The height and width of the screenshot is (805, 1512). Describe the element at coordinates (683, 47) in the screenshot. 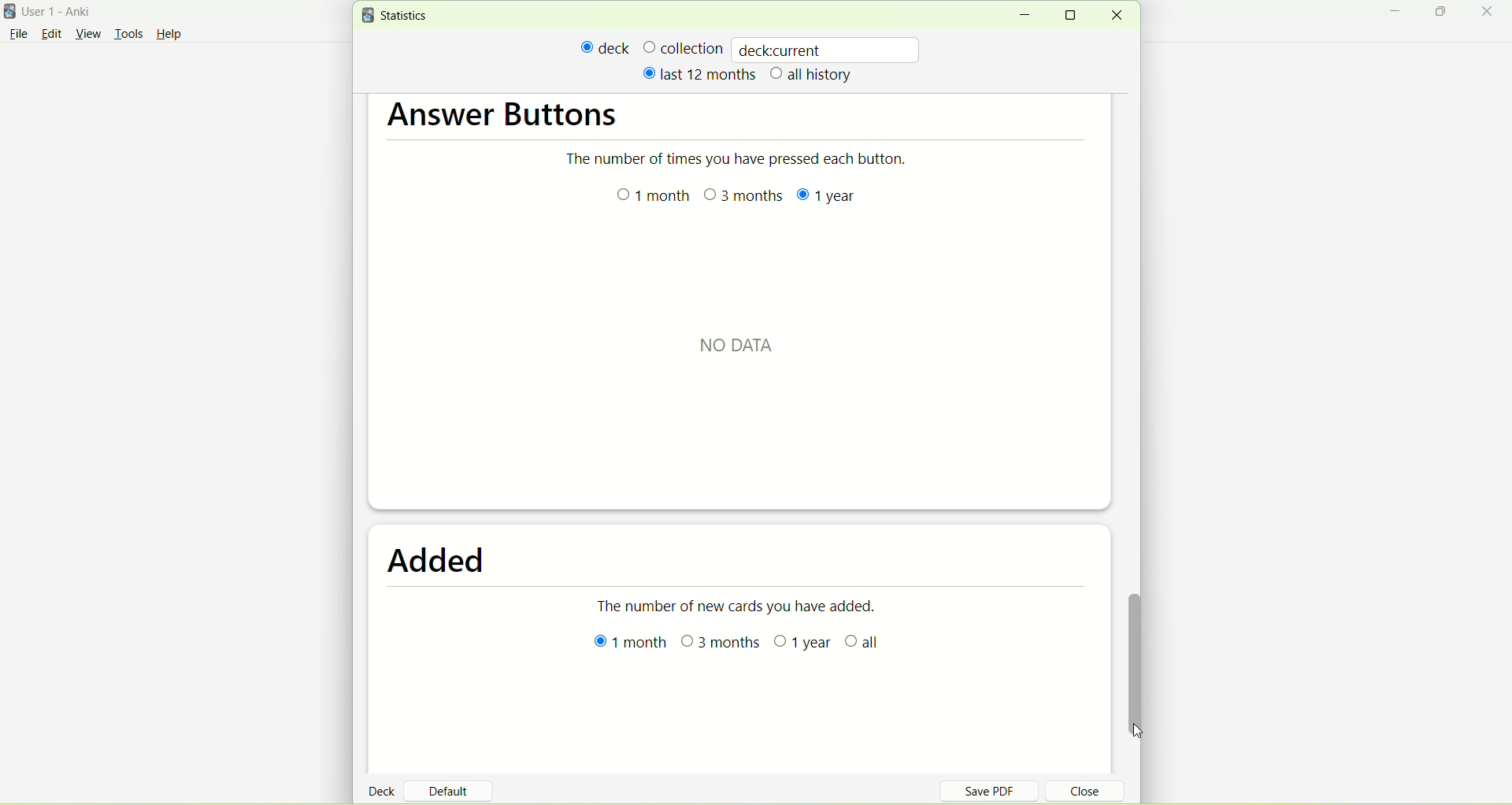

I see `collection` at that location.